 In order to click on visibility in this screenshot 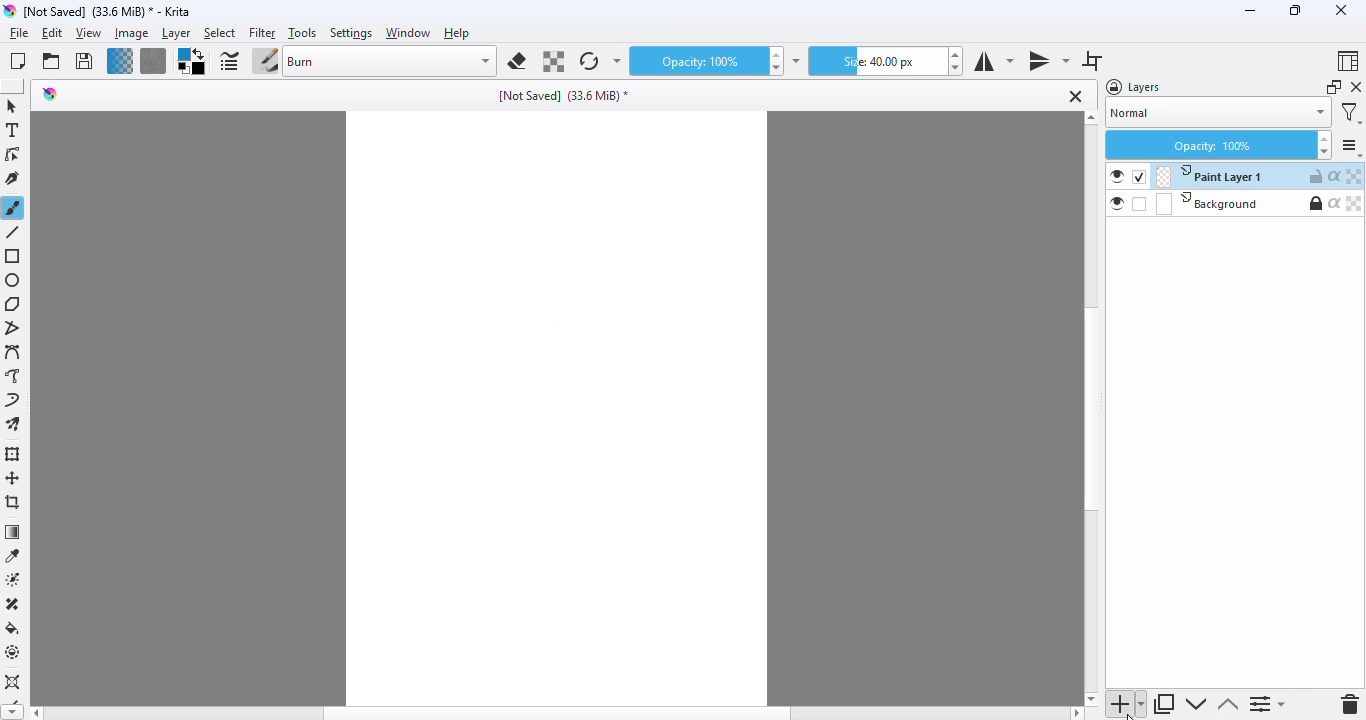, I will do `click(1117, 203)`.